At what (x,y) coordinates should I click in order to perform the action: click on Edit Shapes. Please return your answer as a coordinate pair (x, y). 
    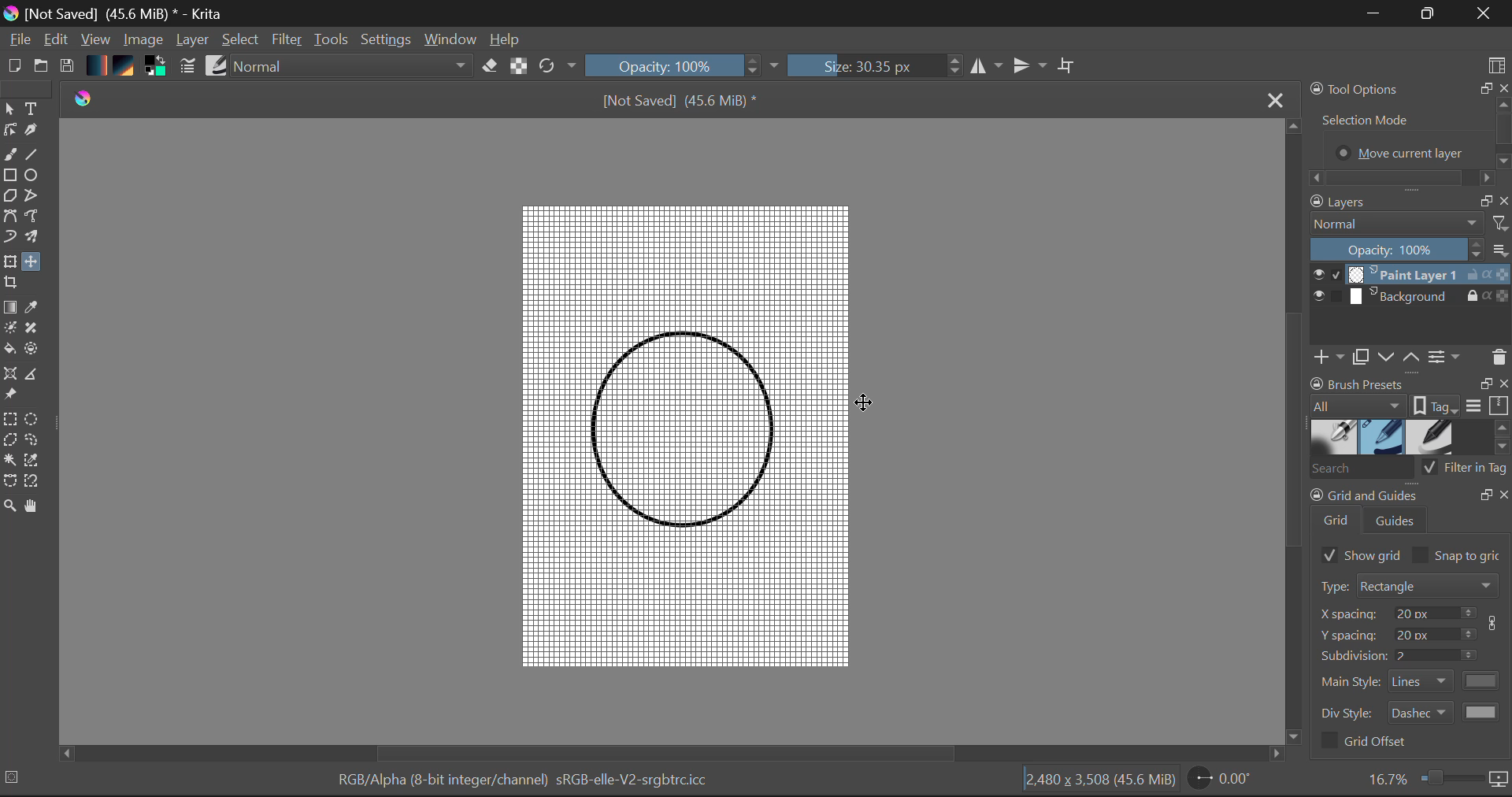
    Looking at the image, I should click on (13, 131).